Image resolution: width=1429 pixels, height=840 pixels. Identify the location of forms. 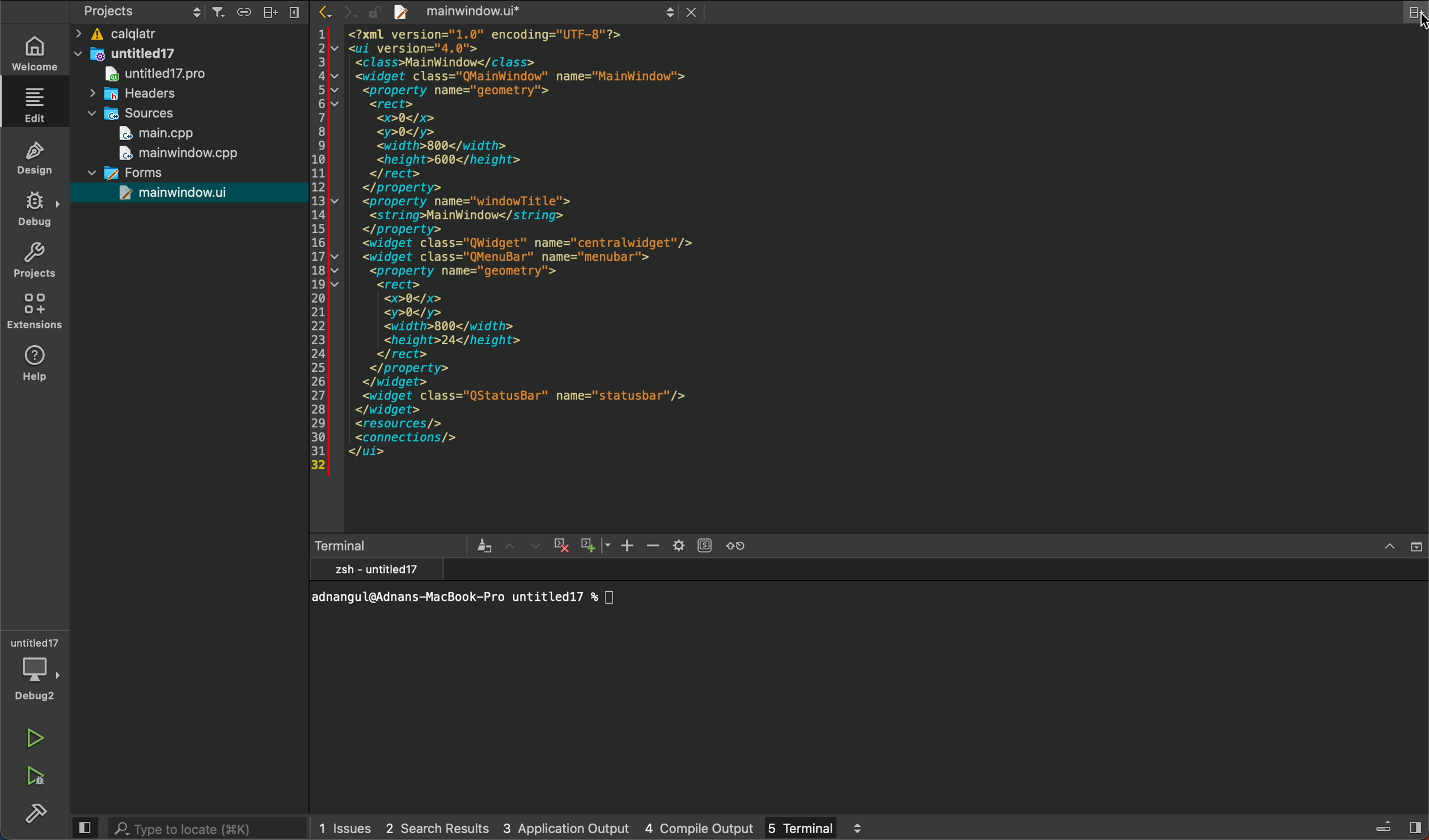
(121, 172).